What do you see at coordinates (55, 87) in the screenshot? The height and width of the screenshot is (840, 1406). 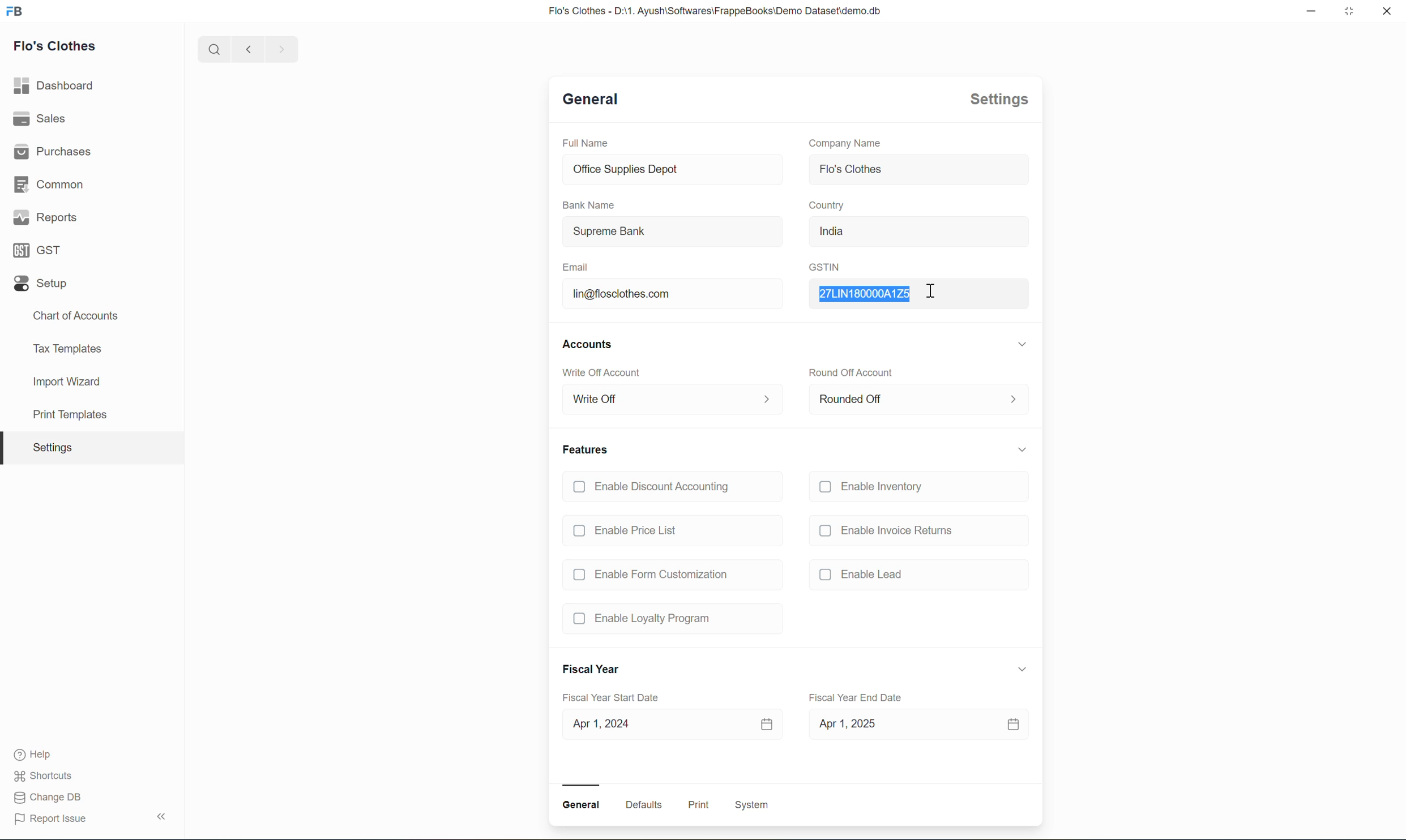 I see `Dashboard` at bounding box center [55, 87].